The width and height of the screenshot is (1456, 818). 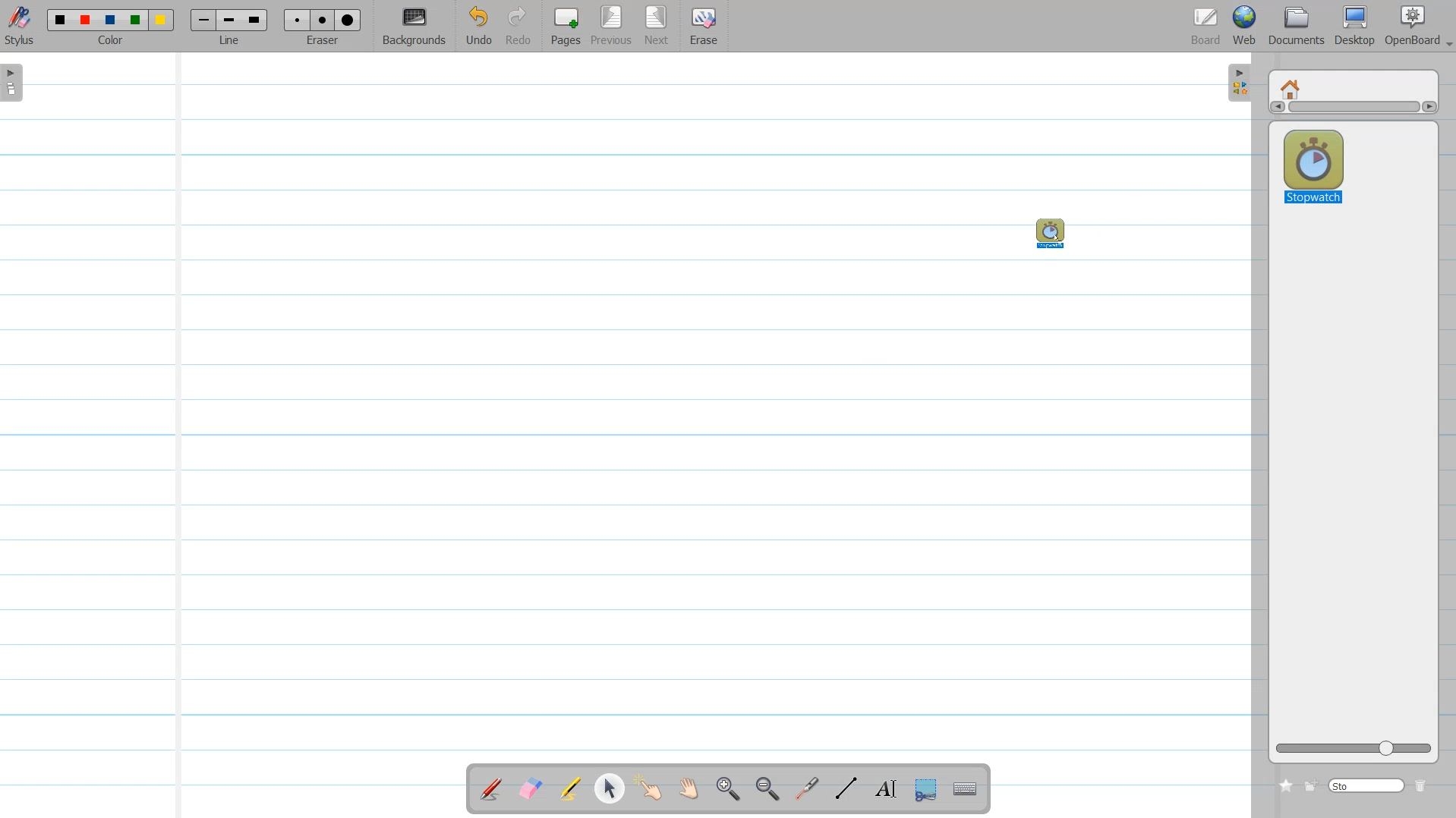 What do you see at coordinates (1354, 749) in the screenshot?
I see `Logo size adjuster` at bounding box center [1354, 749].